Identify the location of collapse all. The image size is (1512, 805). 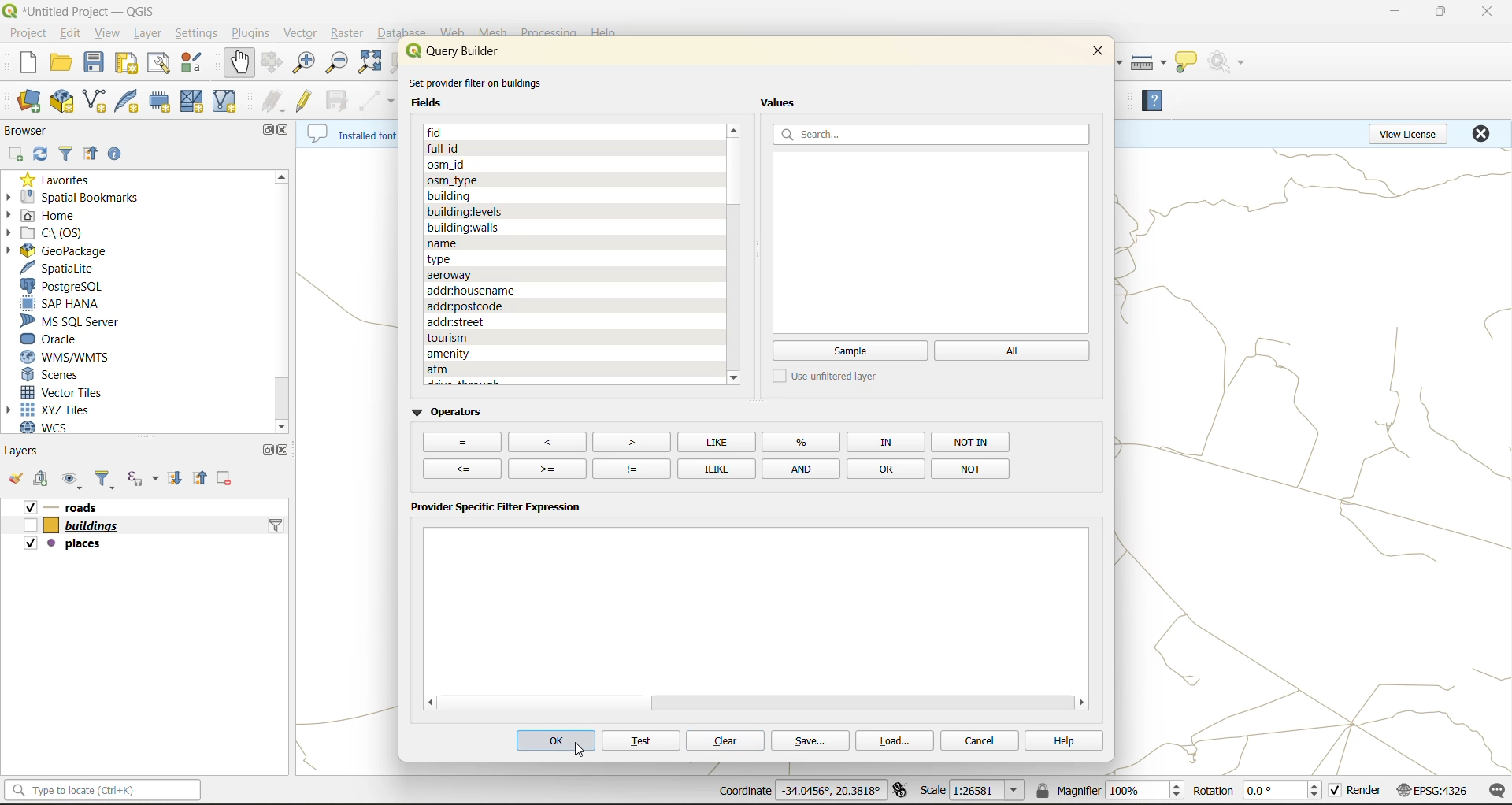
(199, 477).